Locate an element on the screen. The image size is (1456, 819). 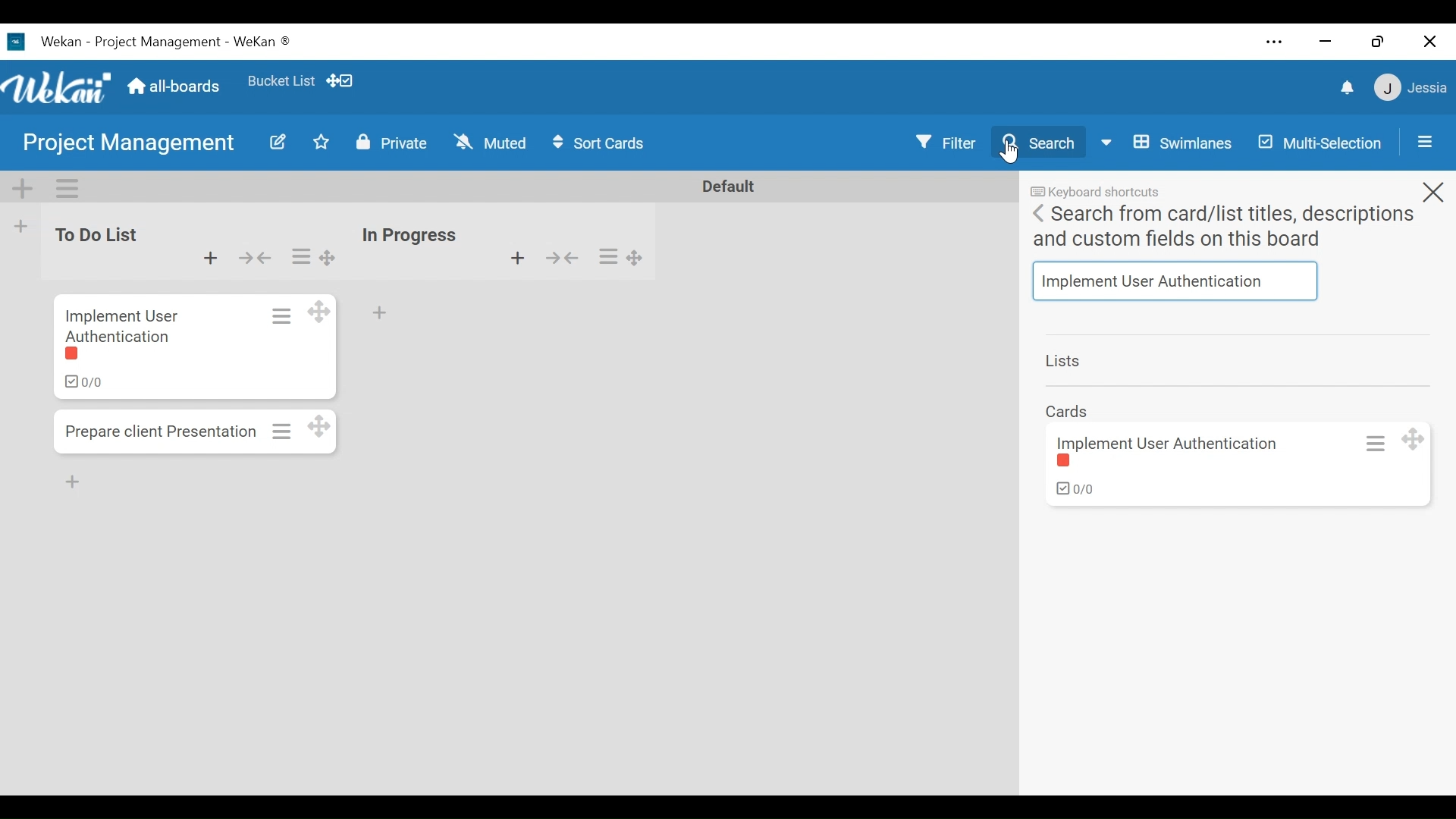
Add card to bottom of the list is located at coordinates (381, 313).